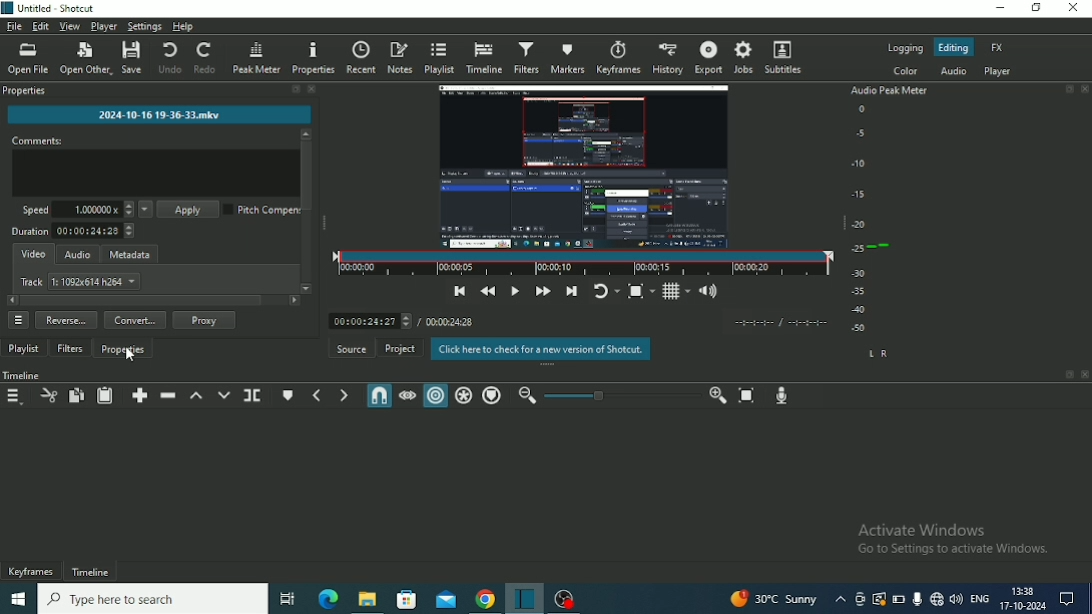 Image resolution: width=1092 pixels, height=614 pixels. What do you see at coordinates (746, 397) in the screenshot?
I see `Zoom timeline to fit` at bounding box center [746, 397].